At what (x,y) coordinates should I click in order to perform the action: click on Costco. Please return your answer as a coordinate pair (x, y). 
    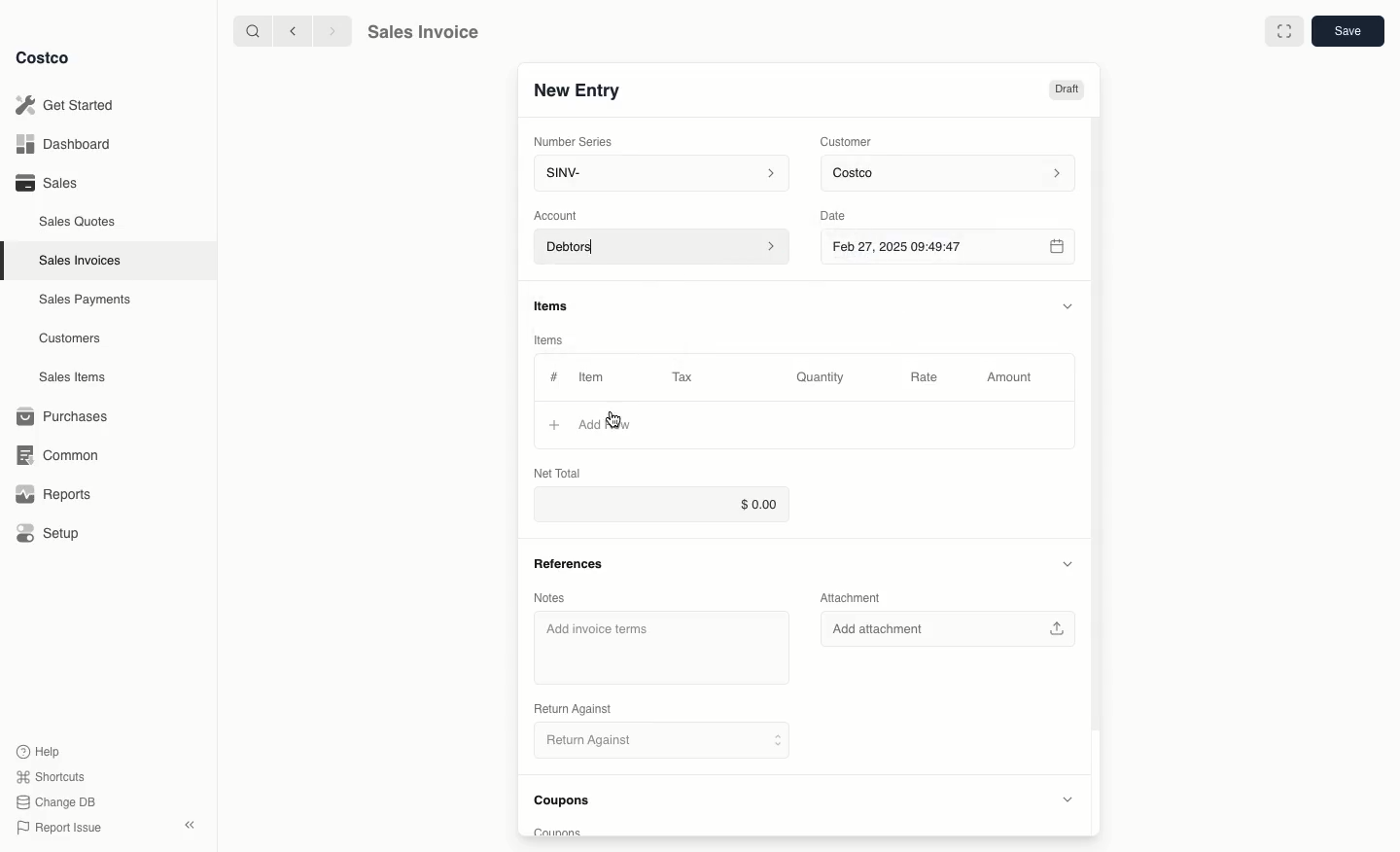
    Looking at the image, I should click on (44, 58).